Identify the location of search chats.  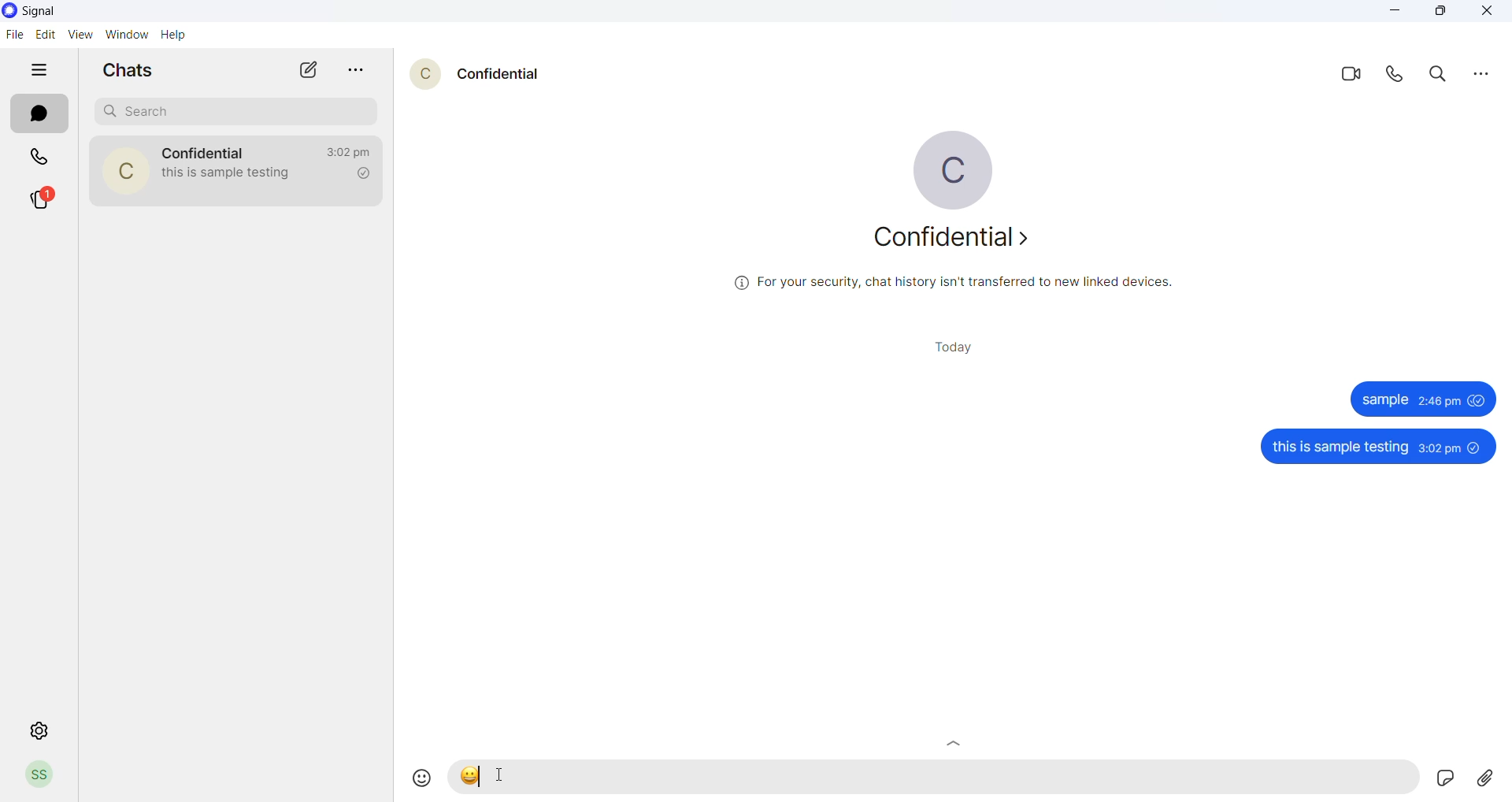
(235, 111).